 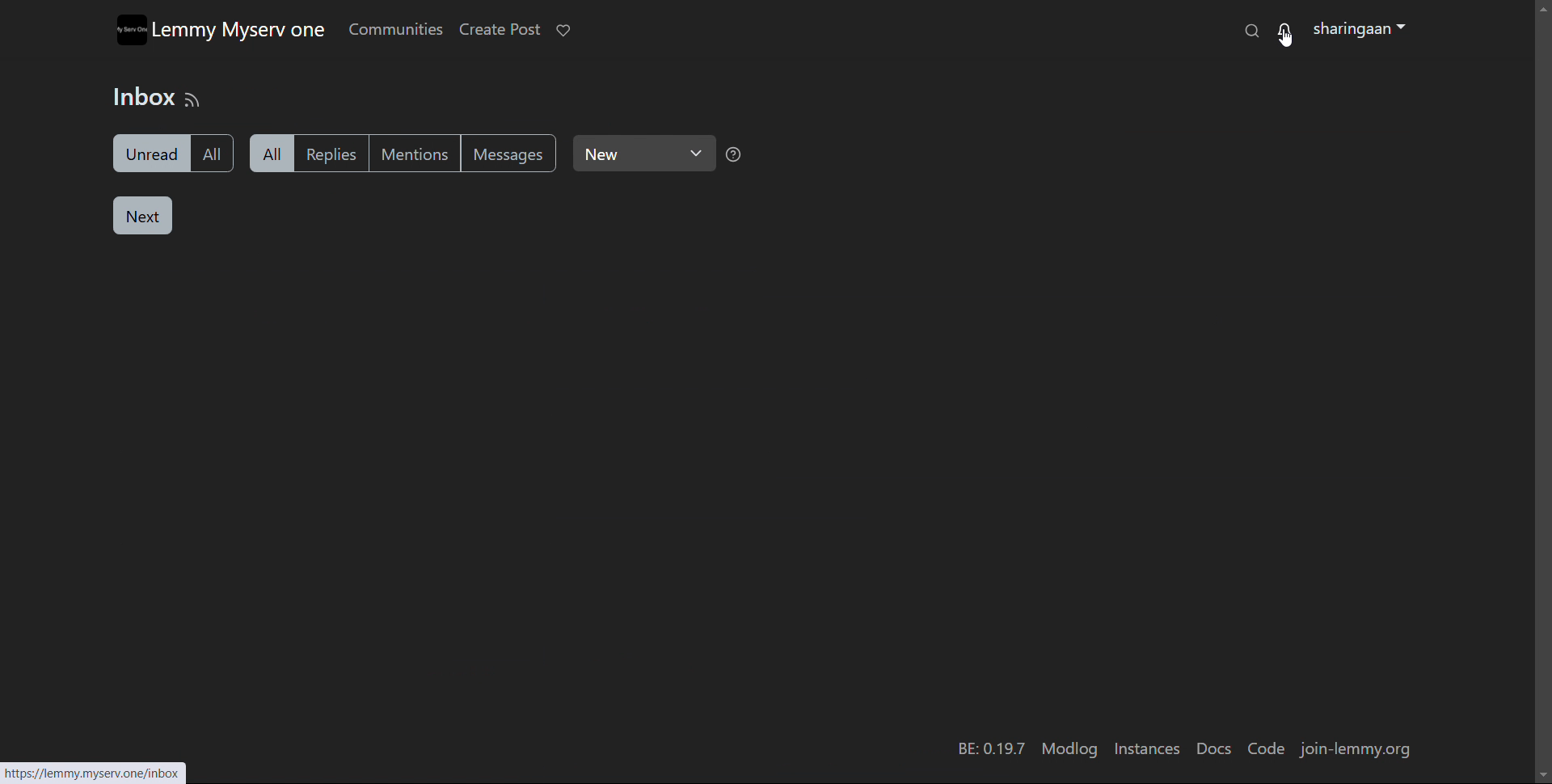 What do you see at coordinates (1145, 749) in the screenshot?
I see `instances` at bounding box center [1145, 749].